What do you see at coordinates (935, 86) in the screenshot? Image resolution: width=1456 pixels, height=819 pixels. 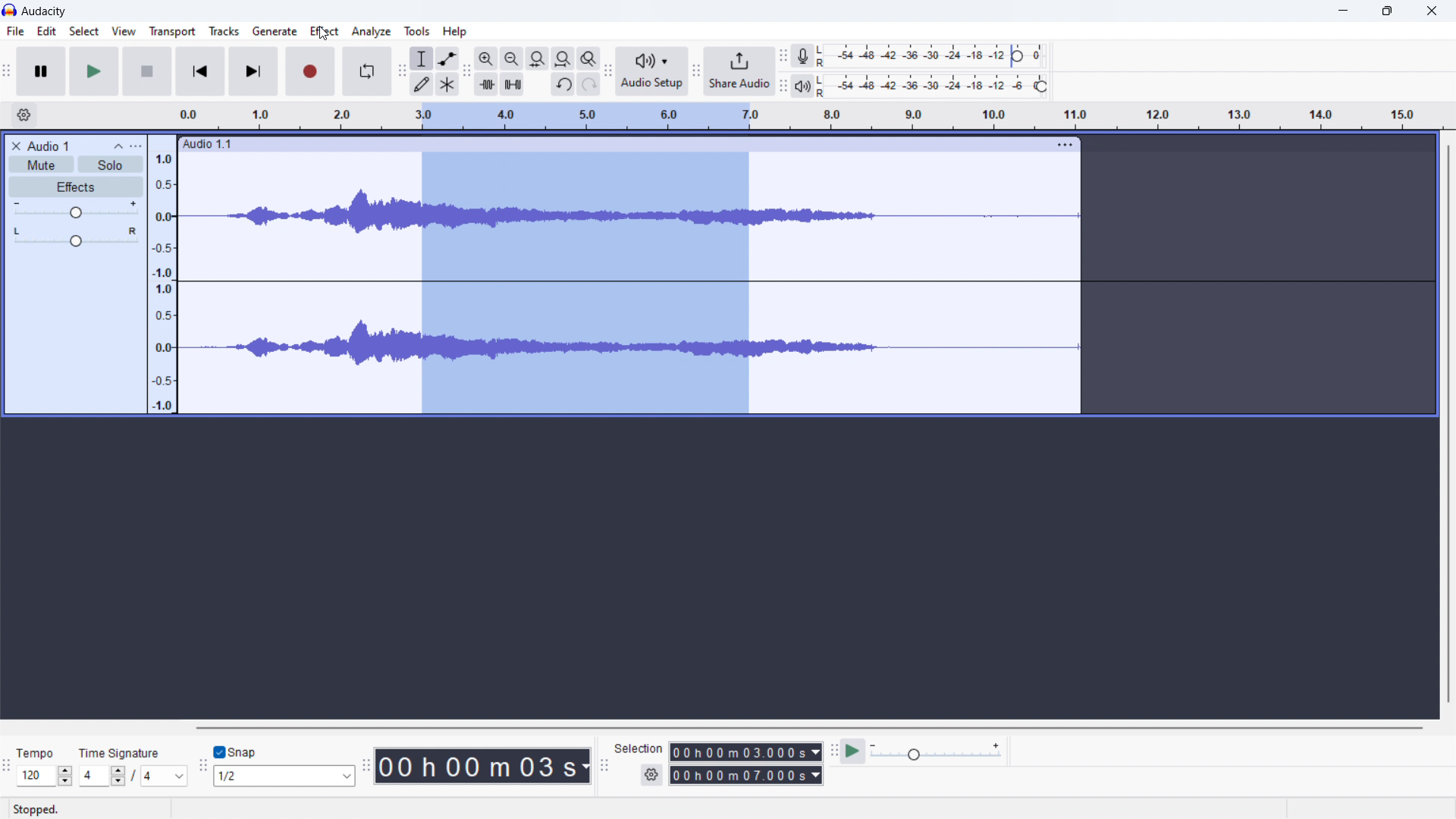 I see `playback level` at bounding box center [935, 86].